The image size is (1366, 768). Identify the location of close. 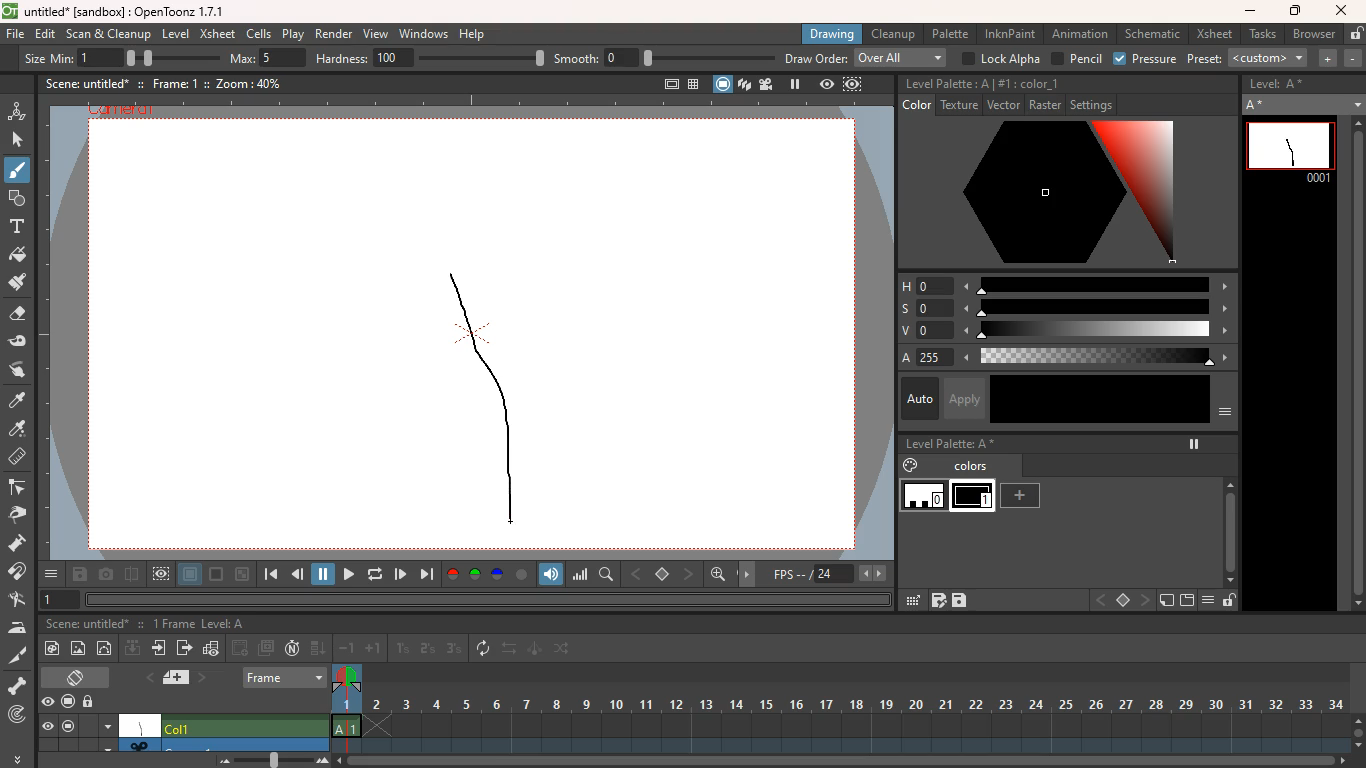
(1342, 10).